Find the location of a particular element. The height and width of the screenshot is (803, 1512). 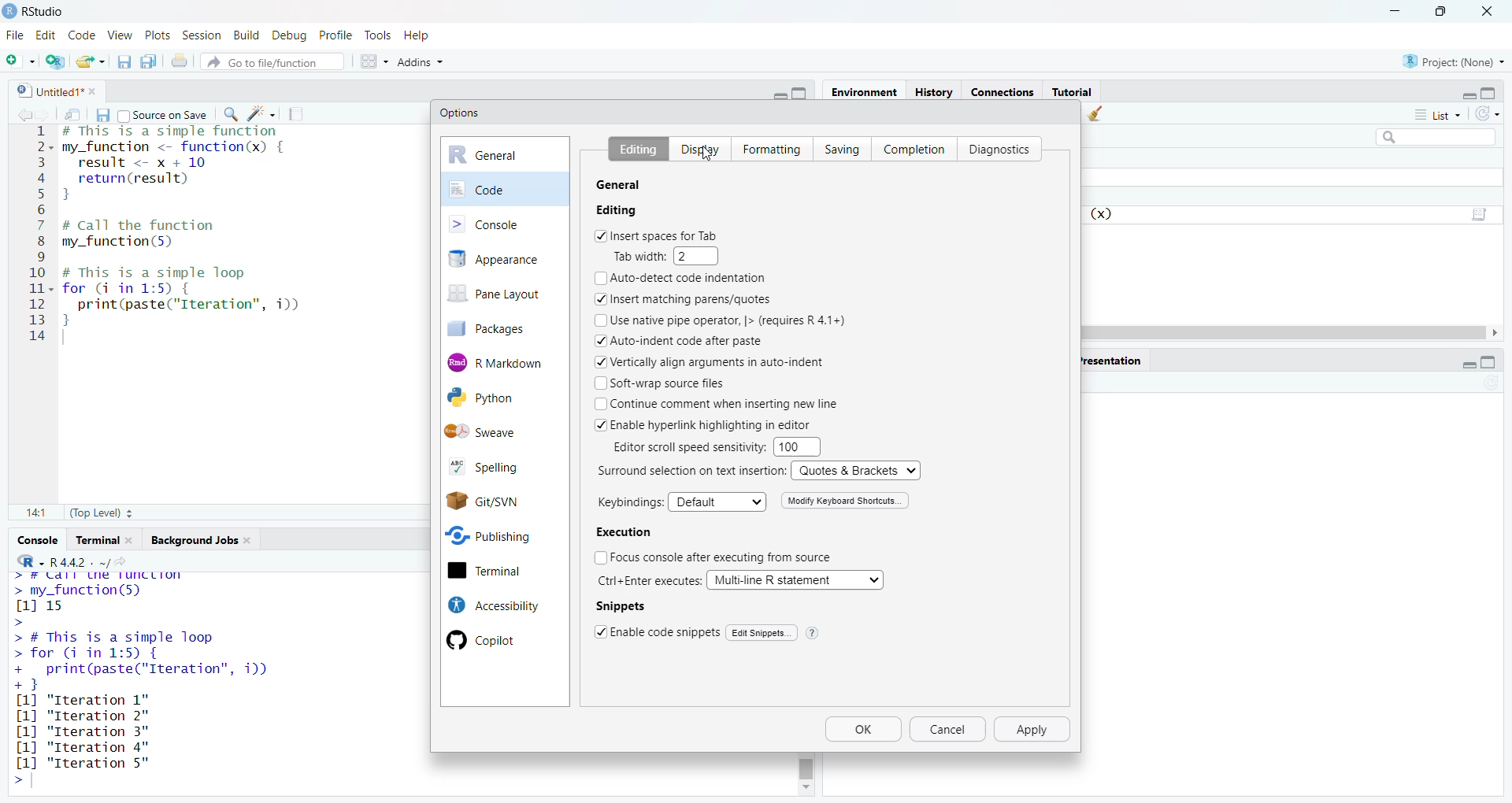

function (x) is located at coordinates (1103, 214).